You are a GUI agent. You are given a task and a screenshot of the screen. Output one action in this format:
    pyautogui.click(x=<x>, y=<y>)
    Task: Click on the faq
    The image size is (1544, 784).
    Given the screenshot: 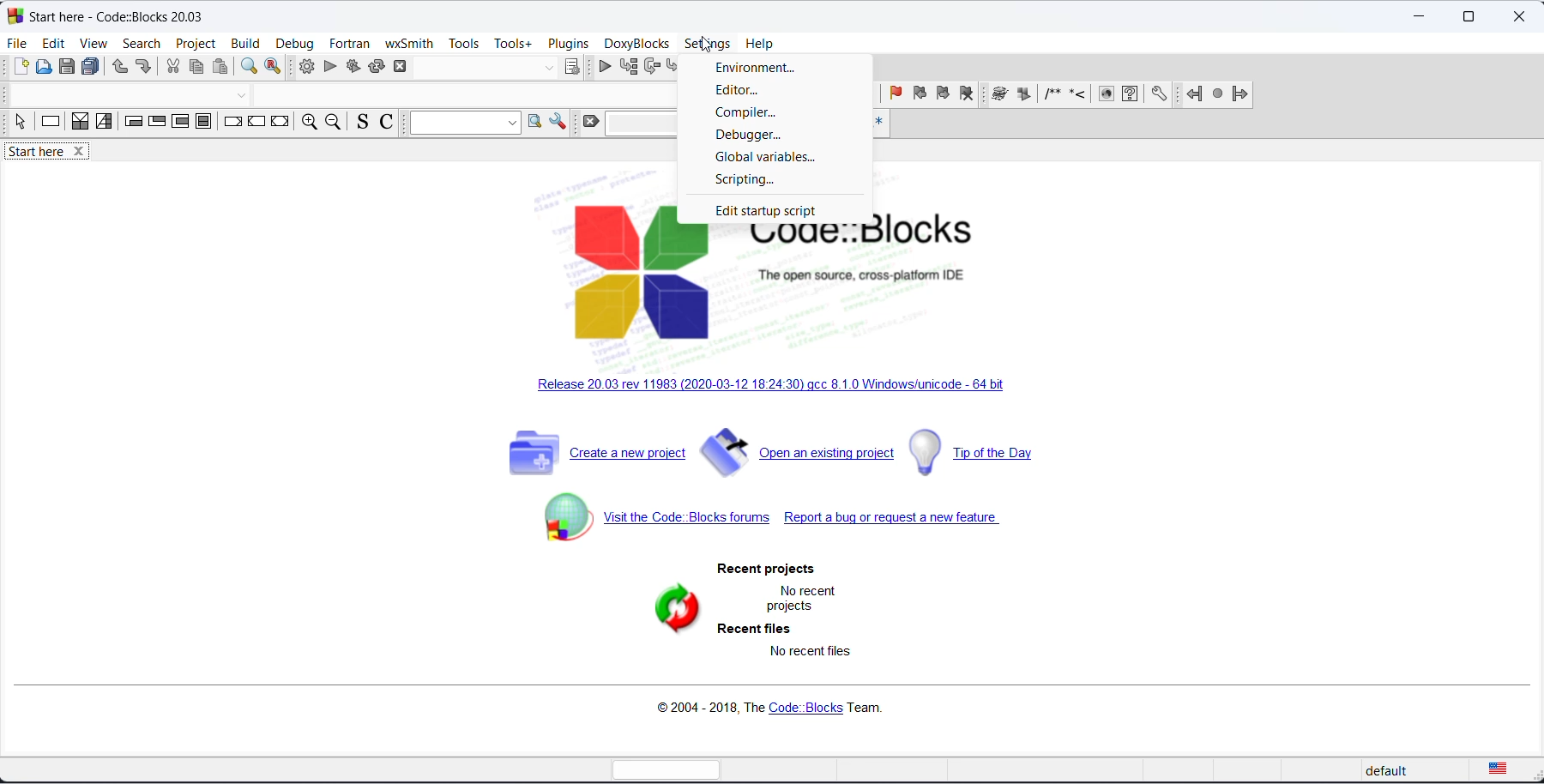 What is the action you would take?
    pyautogui.click(x=1131, y=93)
    